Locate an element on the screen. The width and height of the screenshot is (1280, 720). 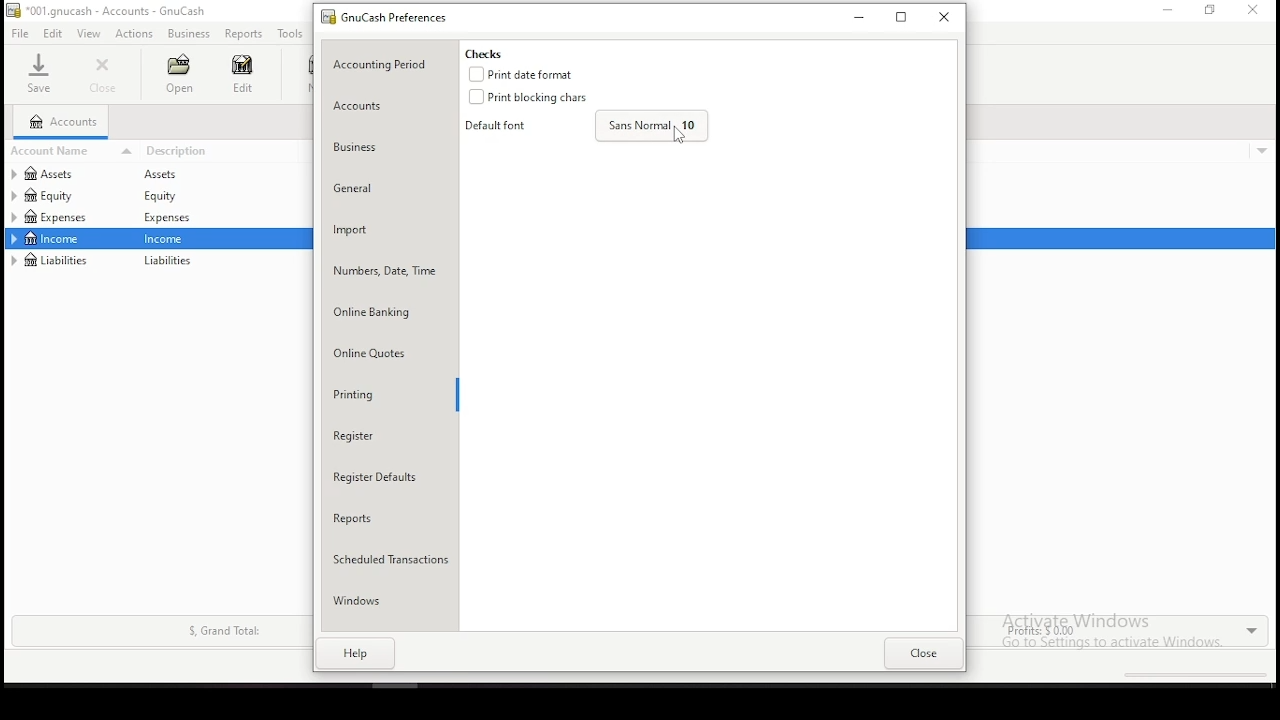
S, Grand Total is located at coordinates (222, 631).